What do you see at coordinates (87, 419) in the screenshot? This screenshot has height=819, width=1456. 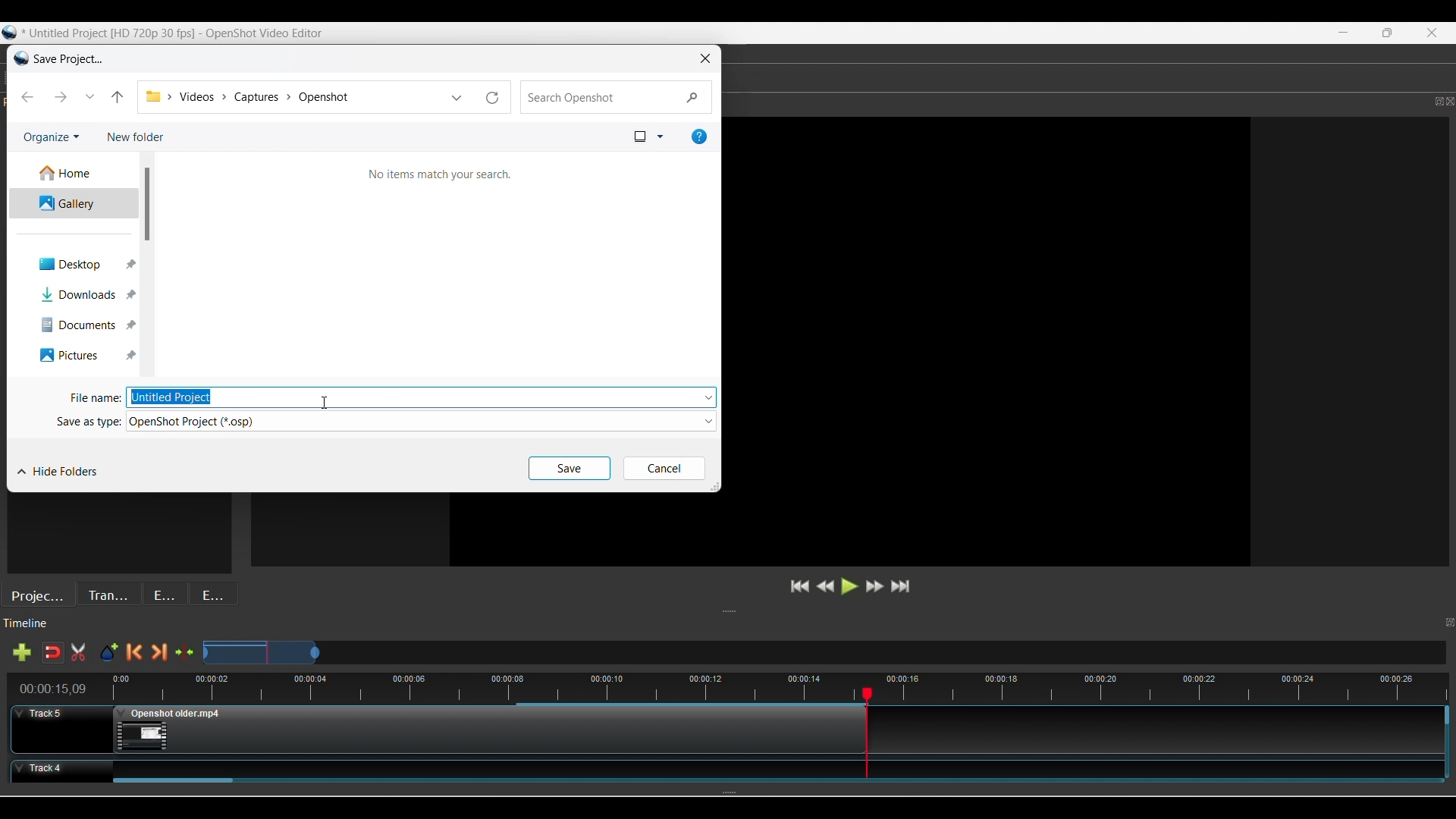 I see `Save as type` at bounding box center [87, 419].